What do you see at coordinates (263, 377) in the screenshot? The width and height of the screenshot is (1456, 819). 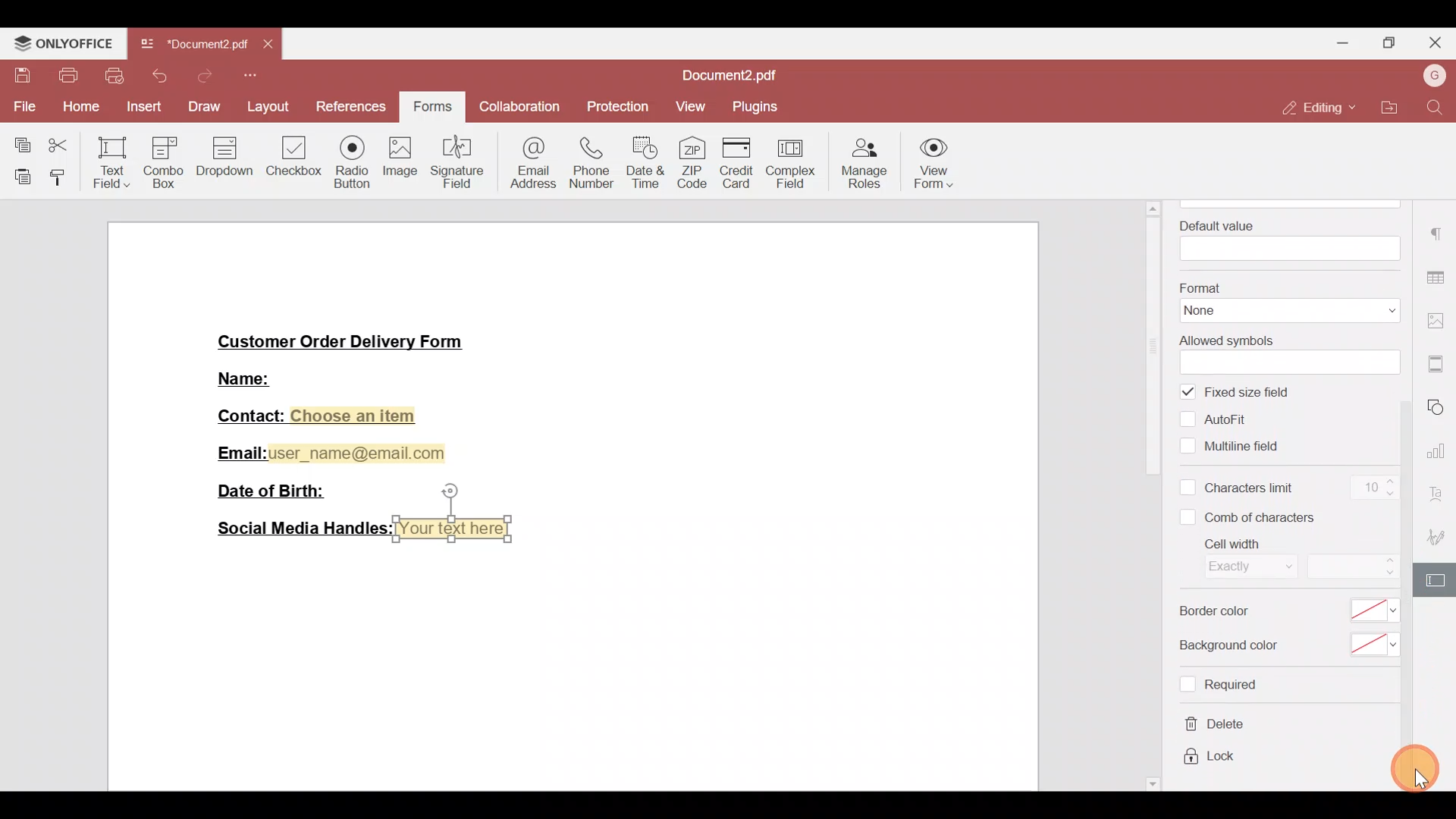 I see `Name:` at bounding box center [263, 377].